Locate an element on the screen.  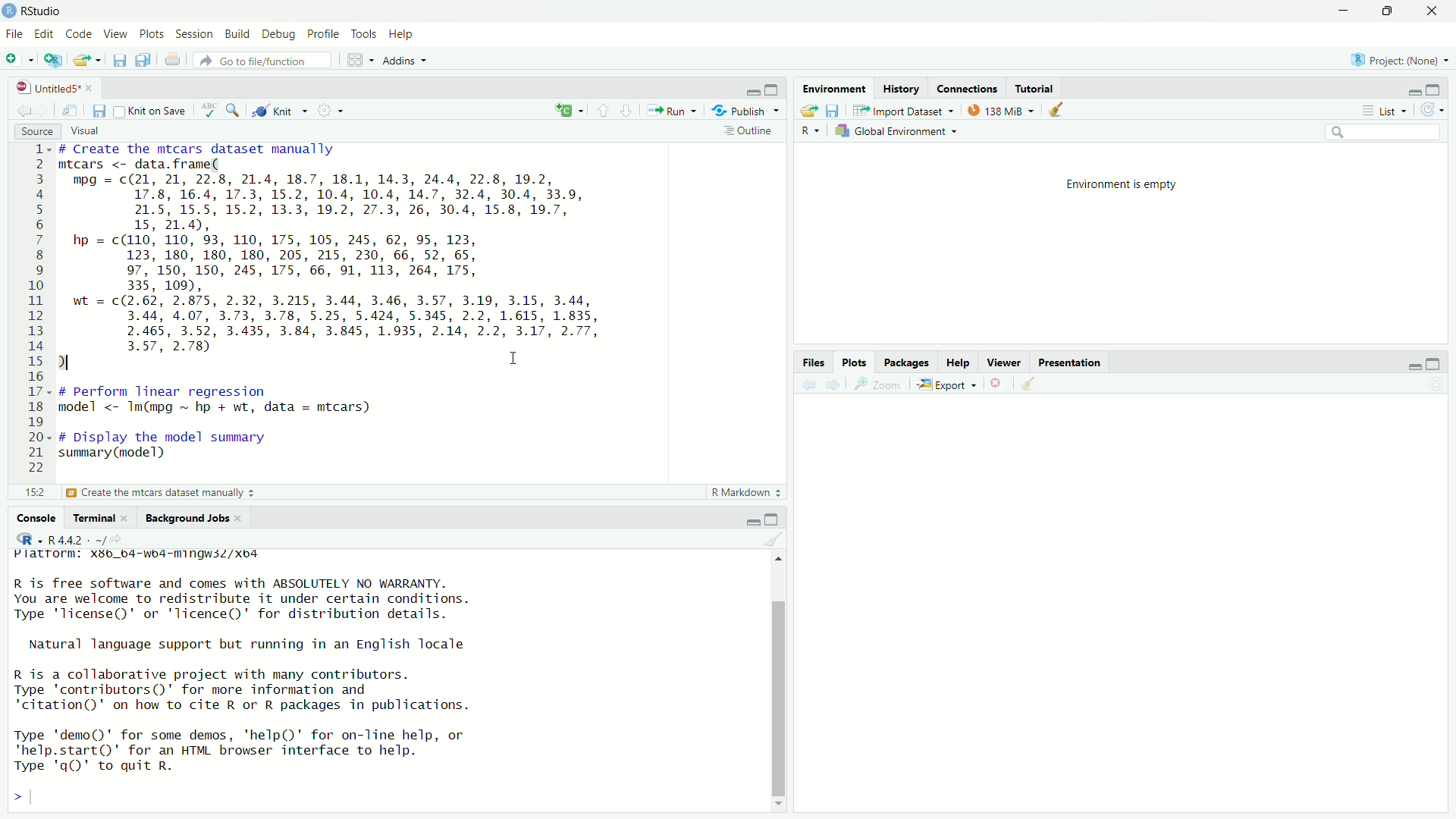
knit on save is located at coordinates (149, 111).